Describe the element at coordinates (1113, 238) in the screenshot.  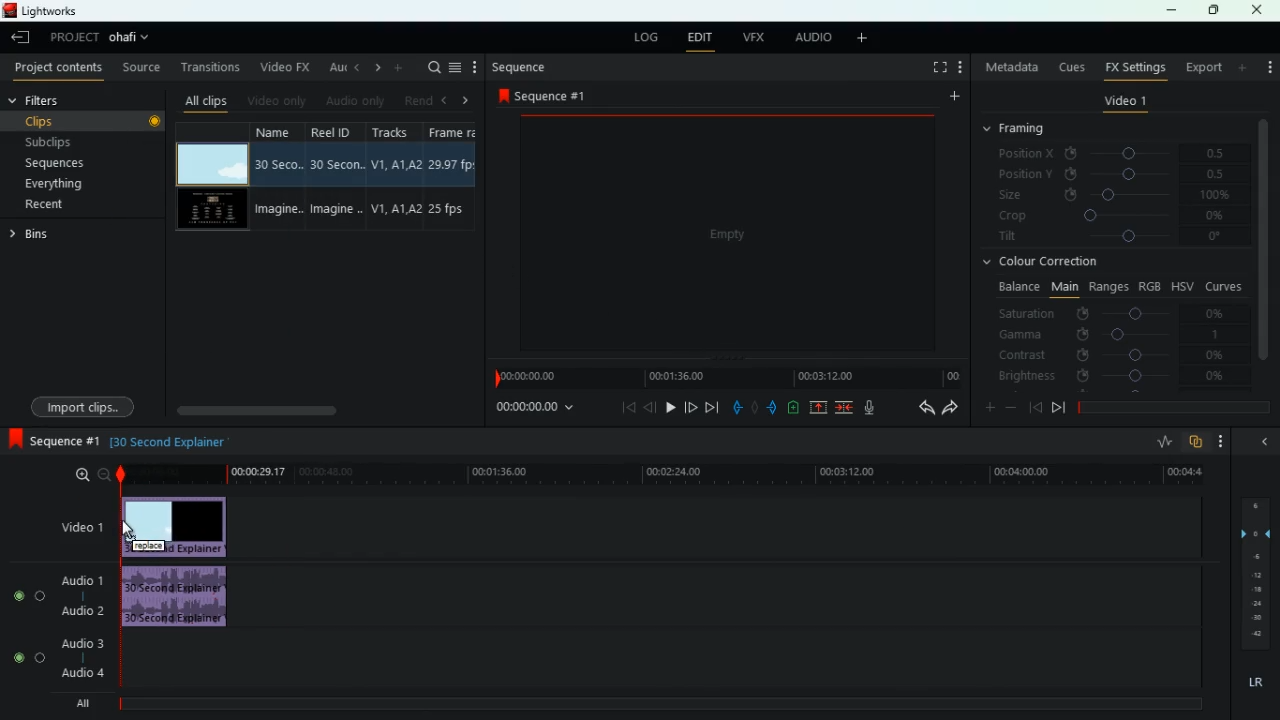
I see `tilt` at that location.